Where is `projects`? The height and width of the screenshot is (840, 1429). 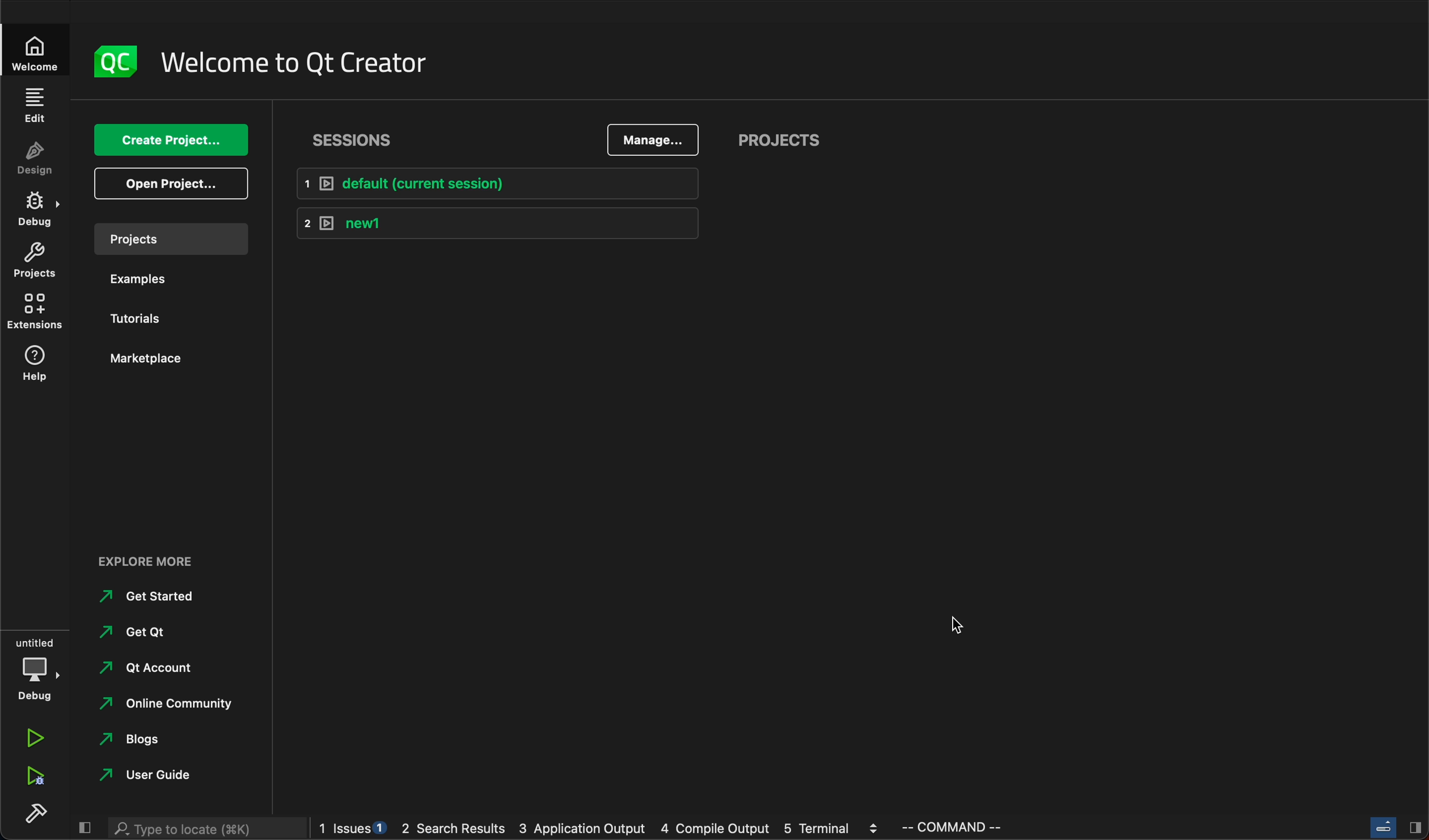
projects is located at coordinates (784, 137).